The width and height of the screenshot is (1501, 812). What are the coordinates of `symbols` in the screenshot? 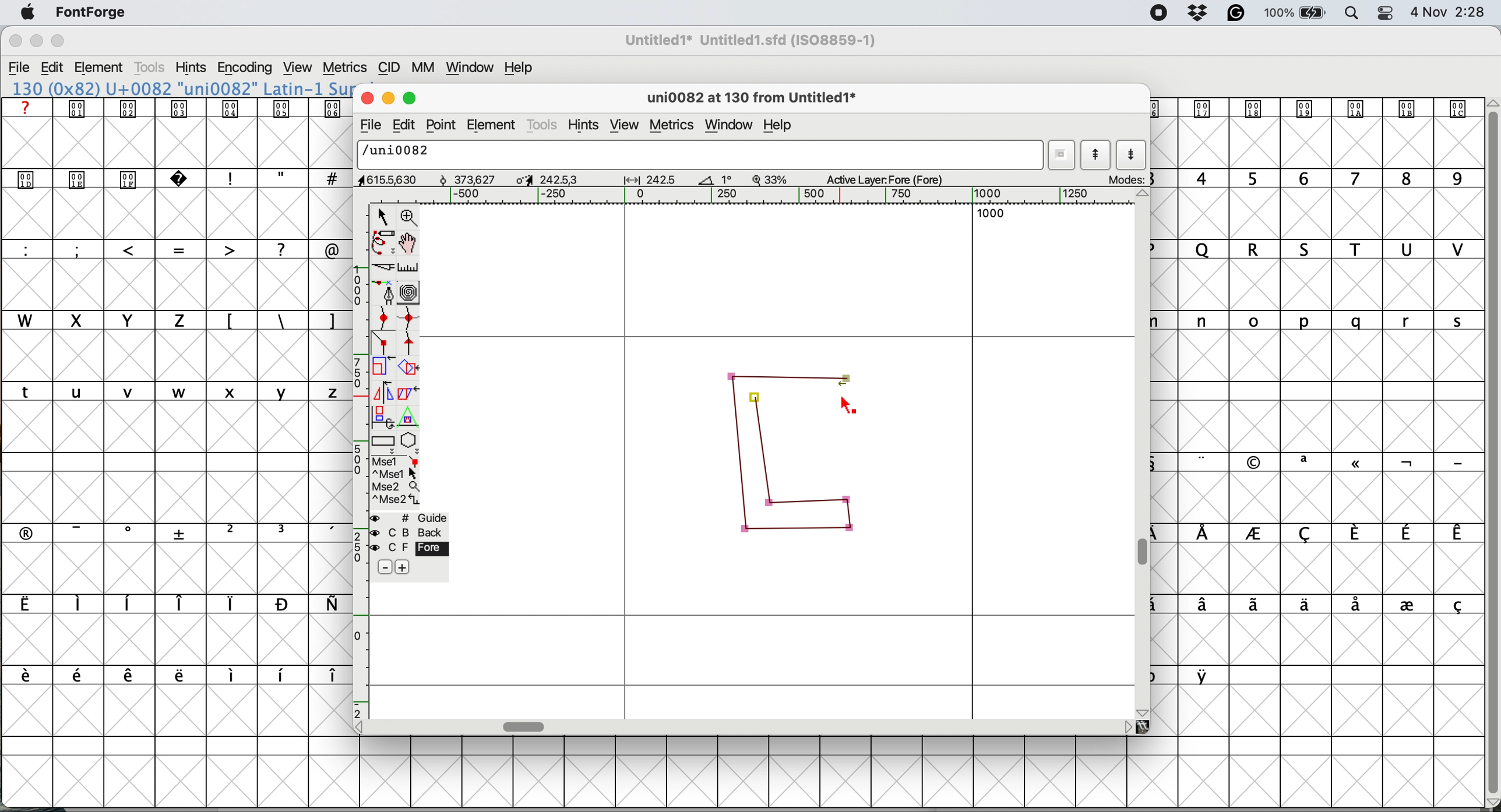 It's located at (172, 604).